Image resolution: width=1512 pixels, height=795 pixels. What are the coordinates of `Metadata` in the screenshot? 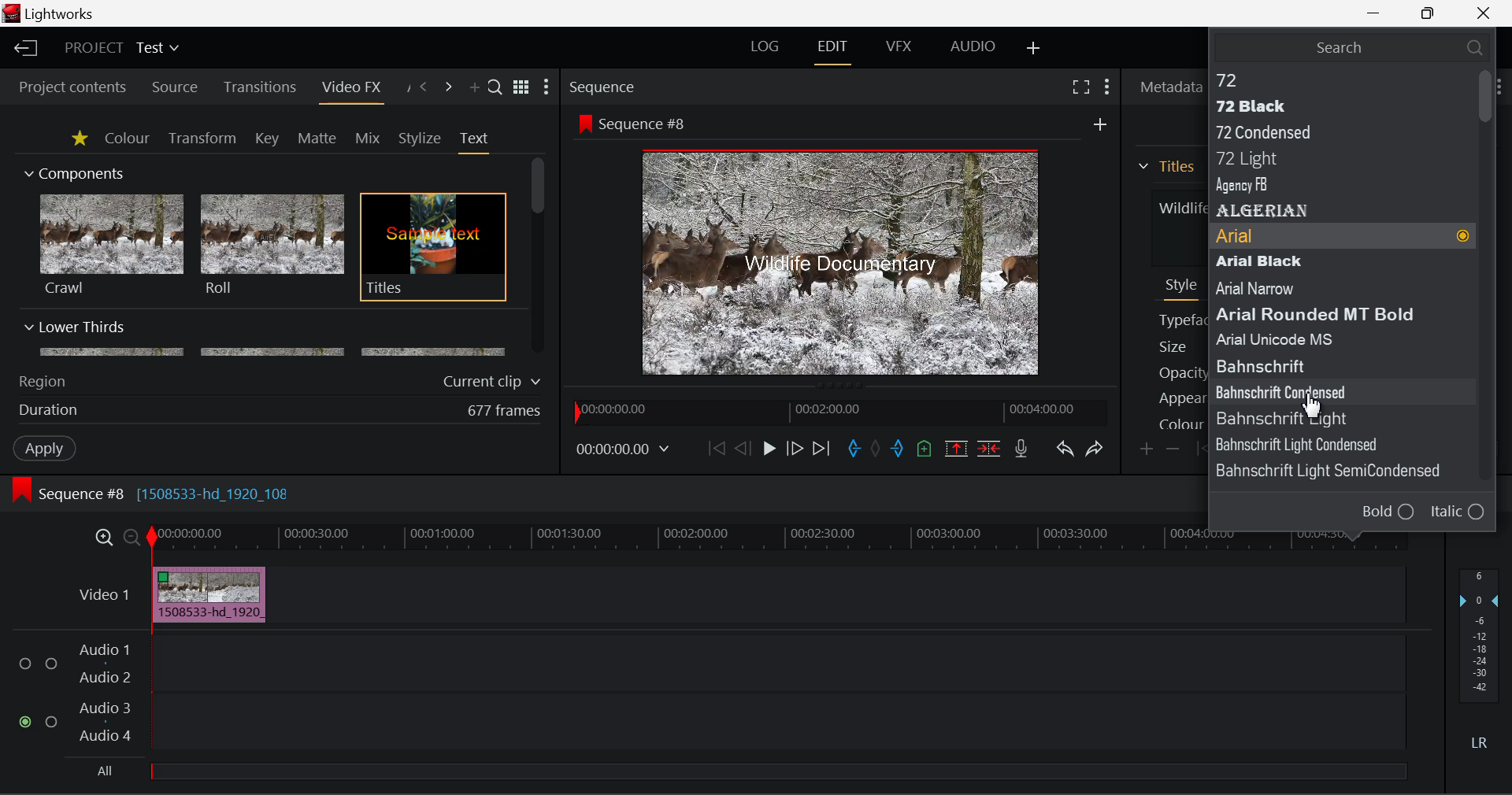 It's located at (1166, 87).